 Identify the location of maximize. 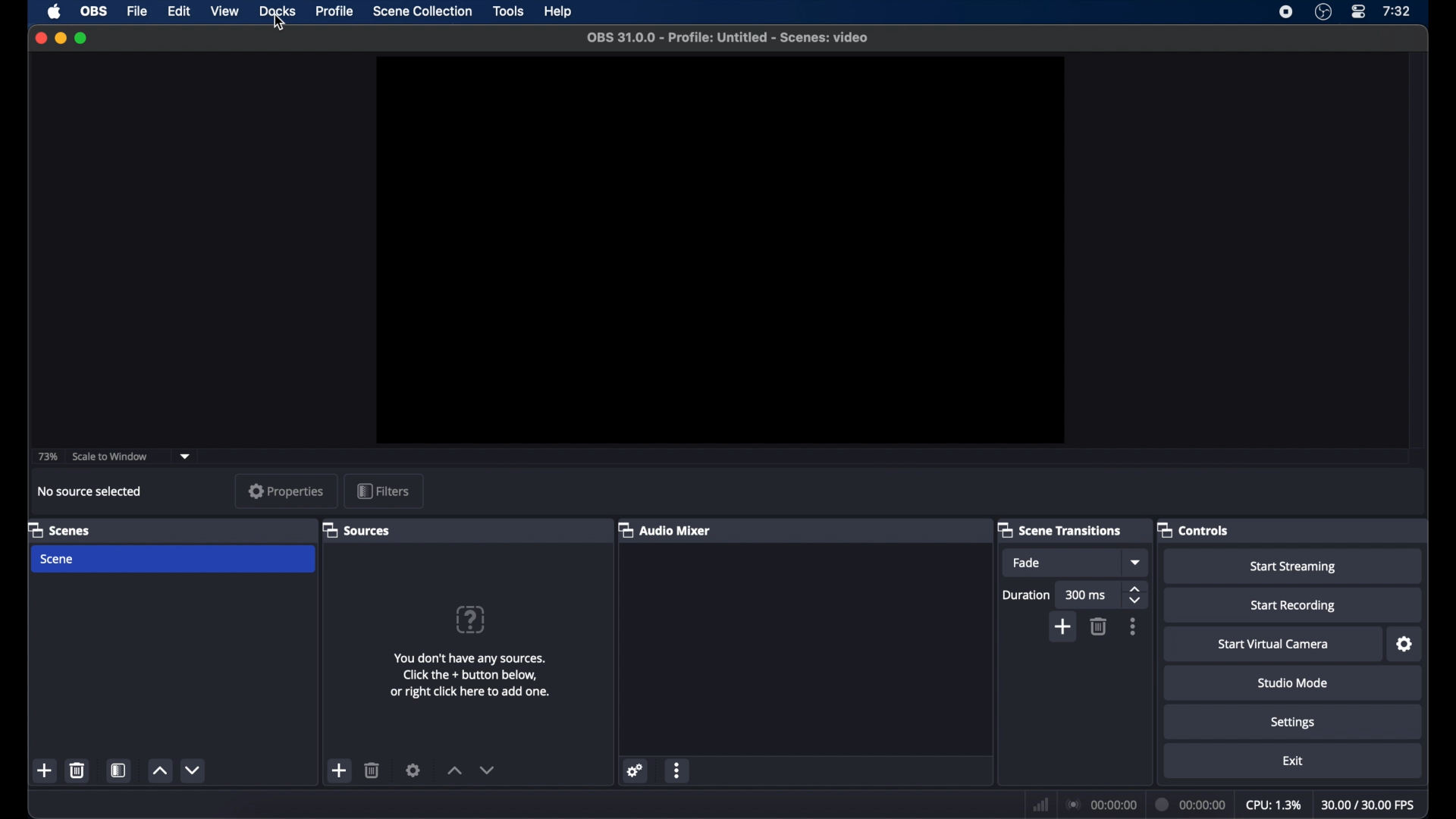
(82, 38).